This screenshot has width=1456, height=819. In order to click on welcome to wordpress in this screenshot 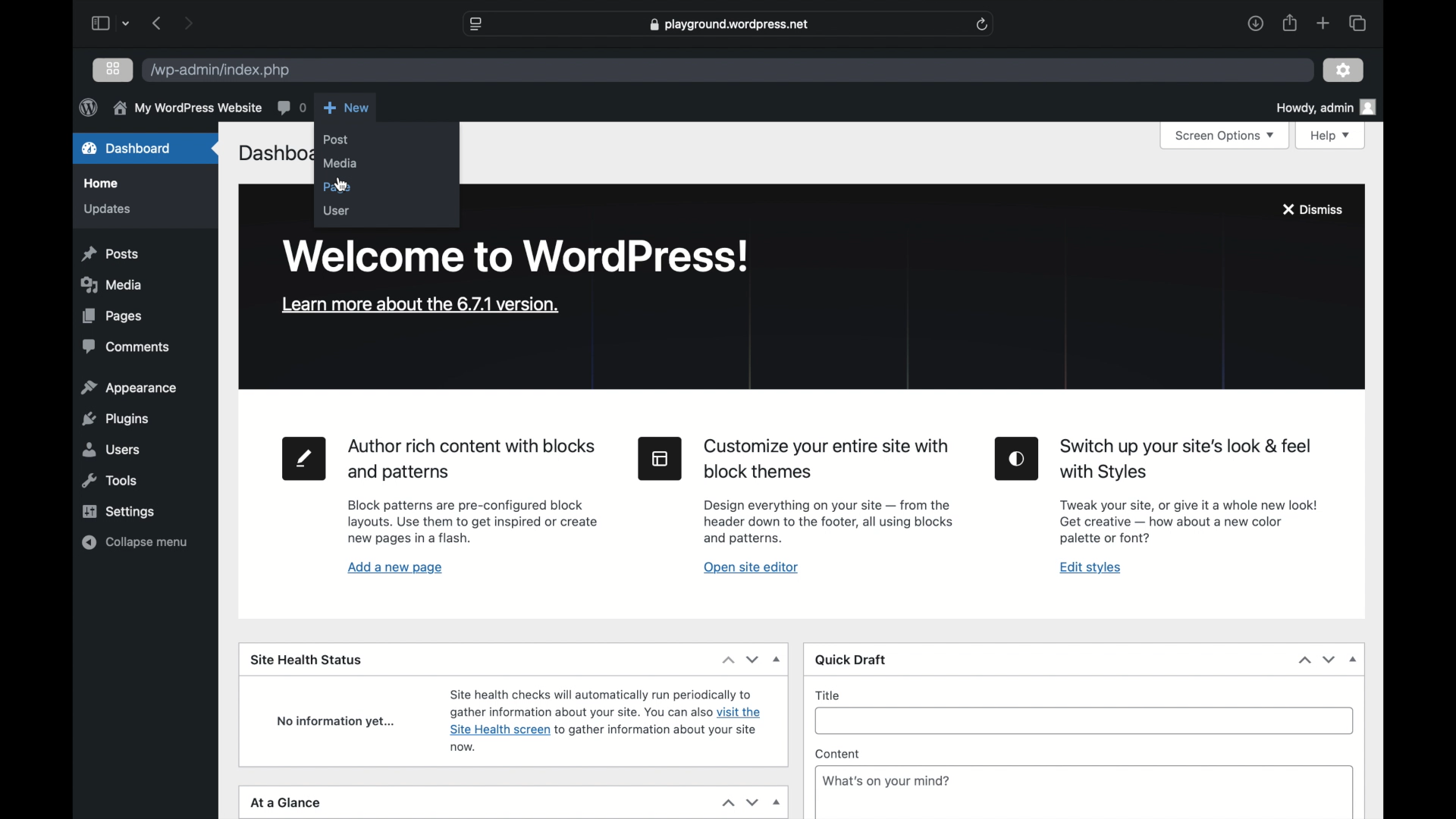, I will do `click(519, 256)`.